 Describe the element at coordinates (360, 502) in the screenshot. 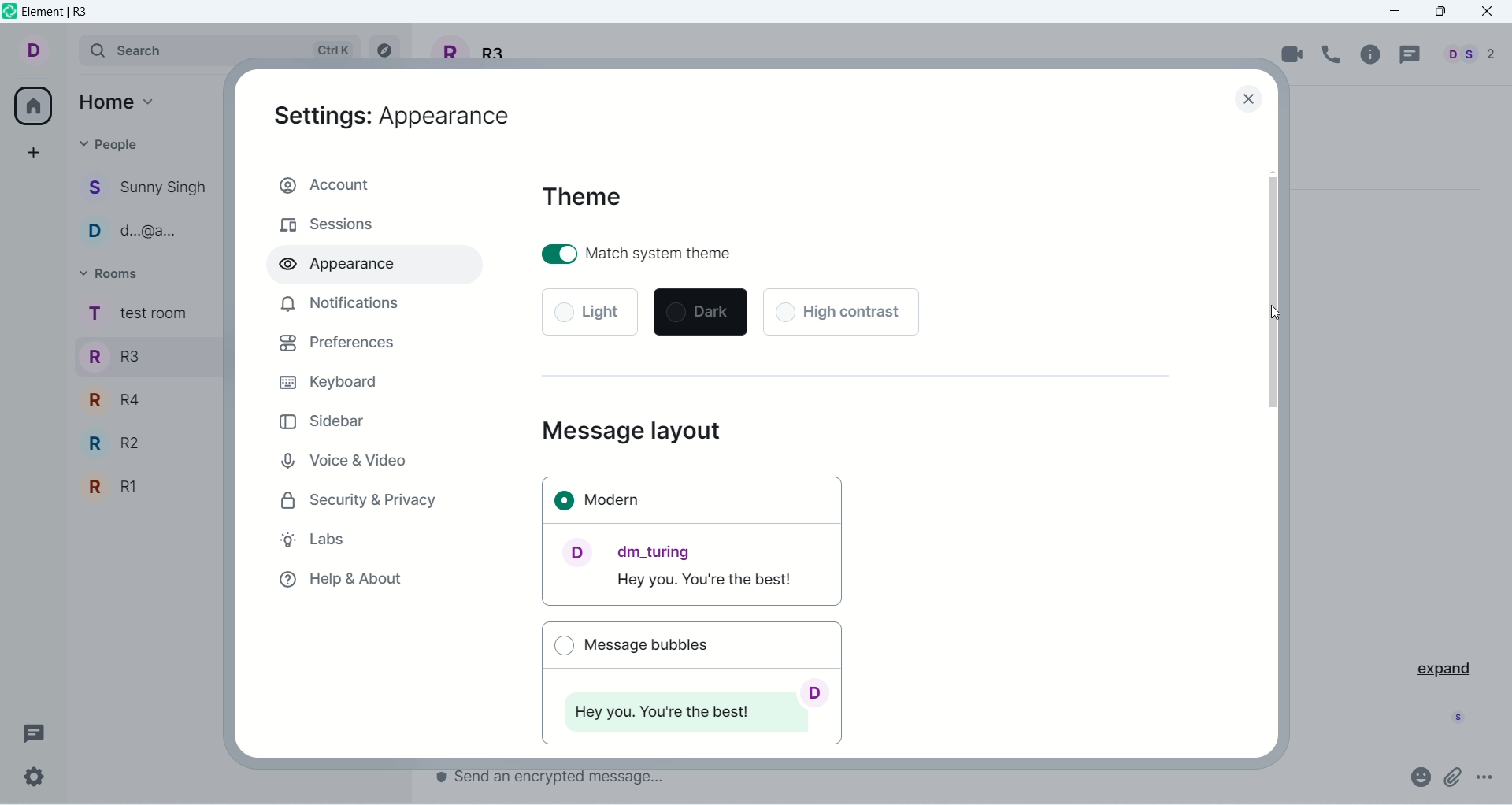

I see `security and privacy` at that location.